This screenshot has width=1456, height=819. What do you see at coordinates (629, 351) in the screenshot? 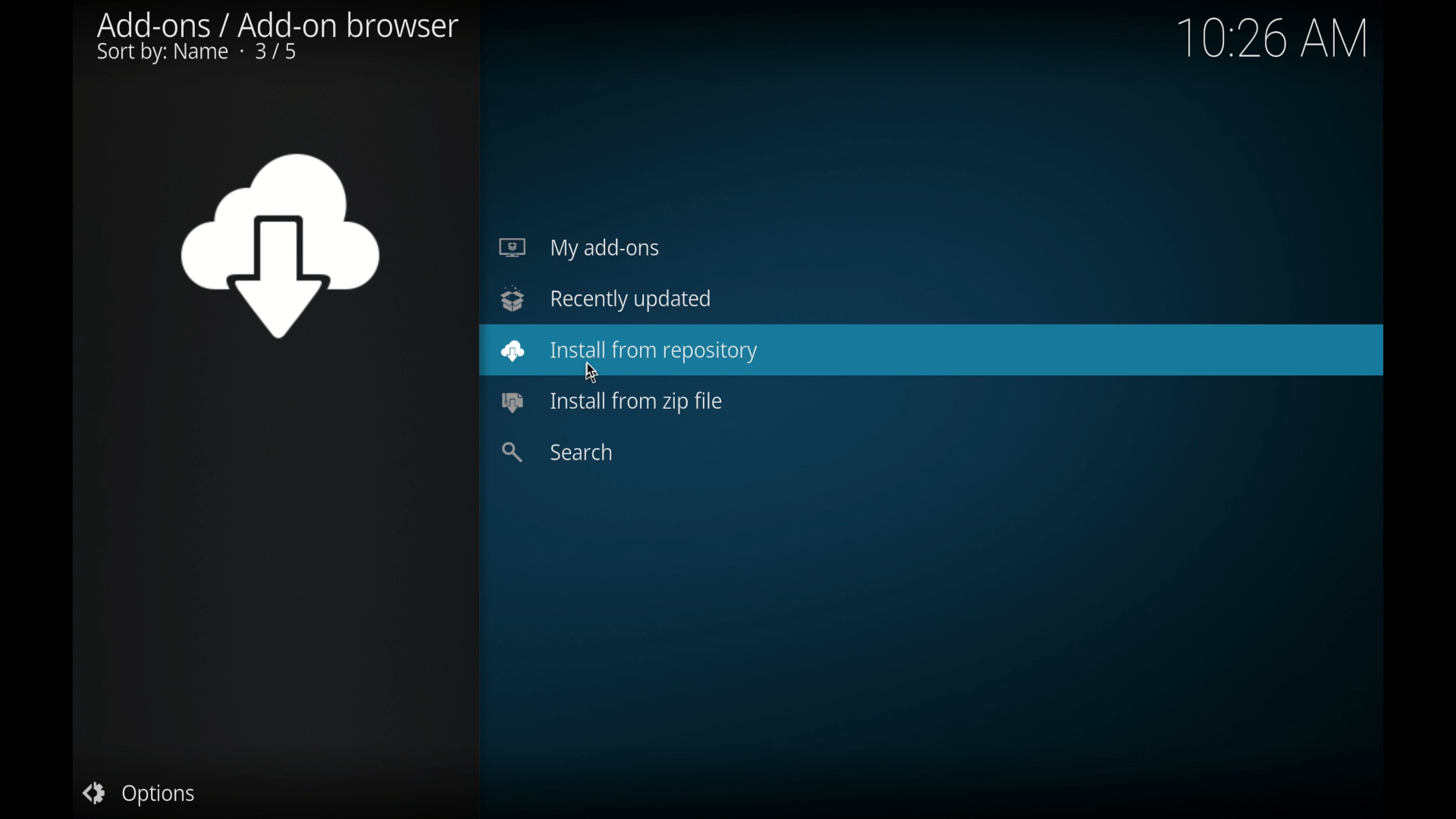
I see `install from repository` at bounding box center [629, 351].